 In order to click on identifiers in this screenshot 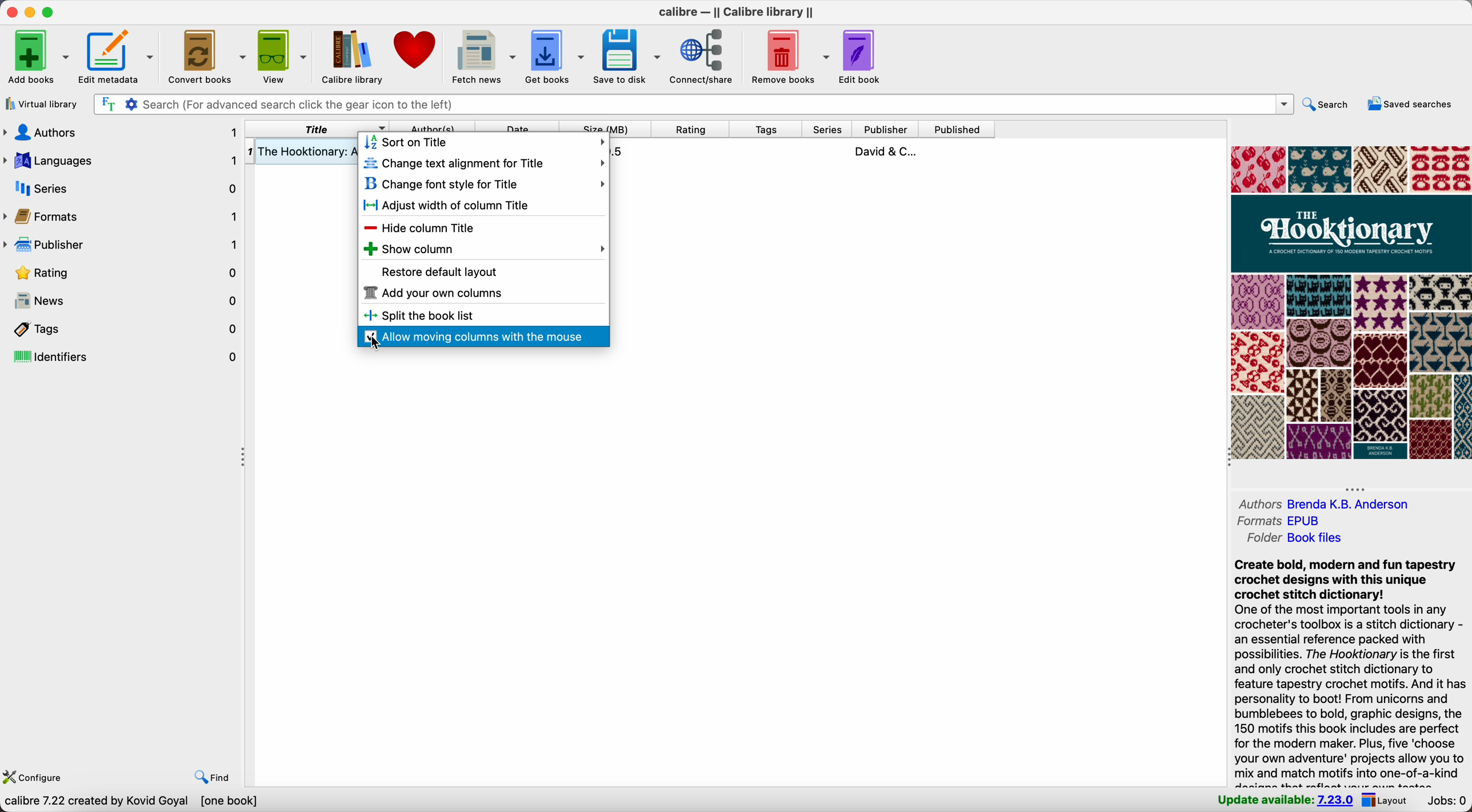, I will do `click(122, 355)`.